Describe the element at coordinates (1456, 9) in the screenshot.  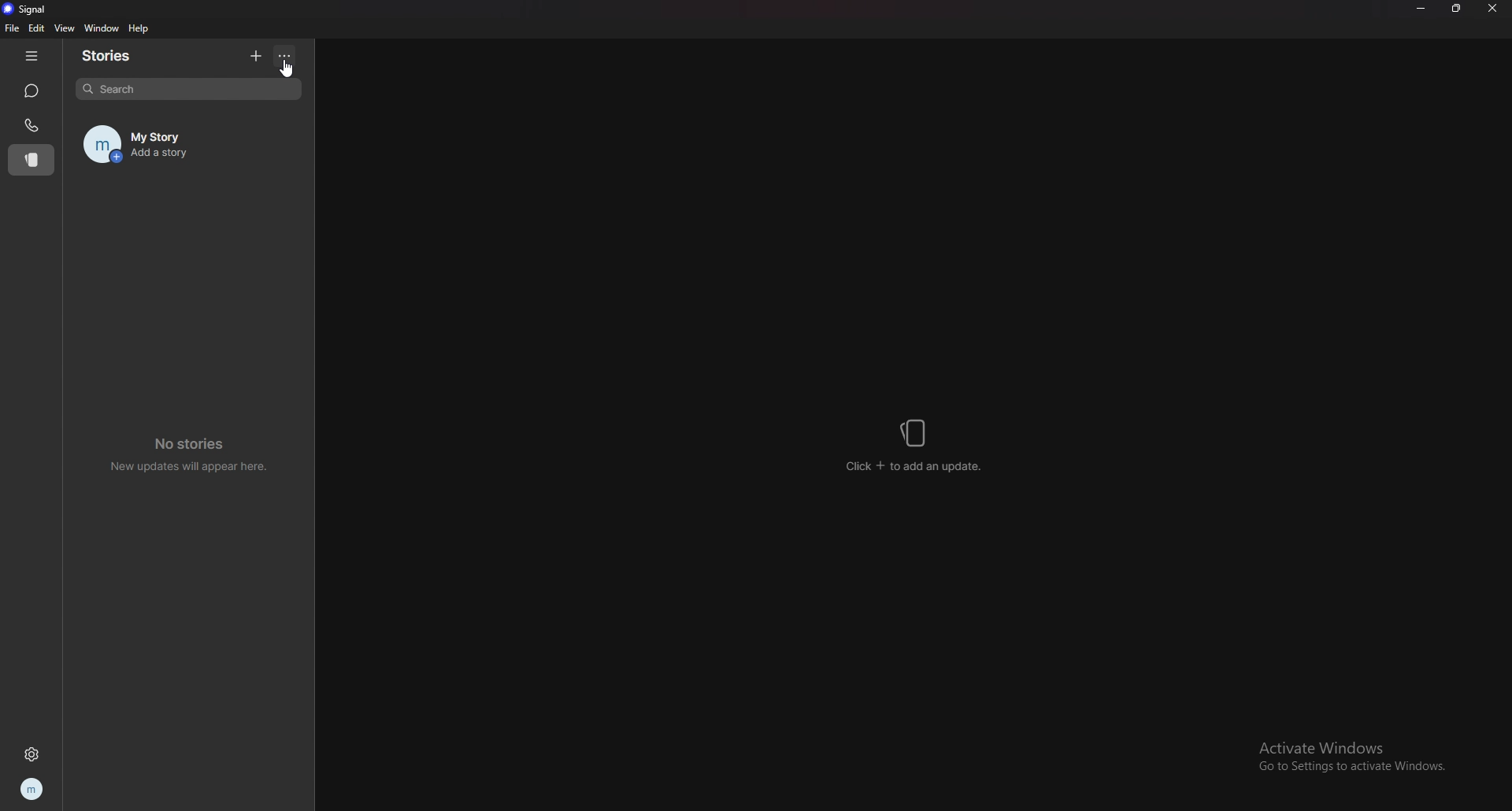
I see `resize` at that location.